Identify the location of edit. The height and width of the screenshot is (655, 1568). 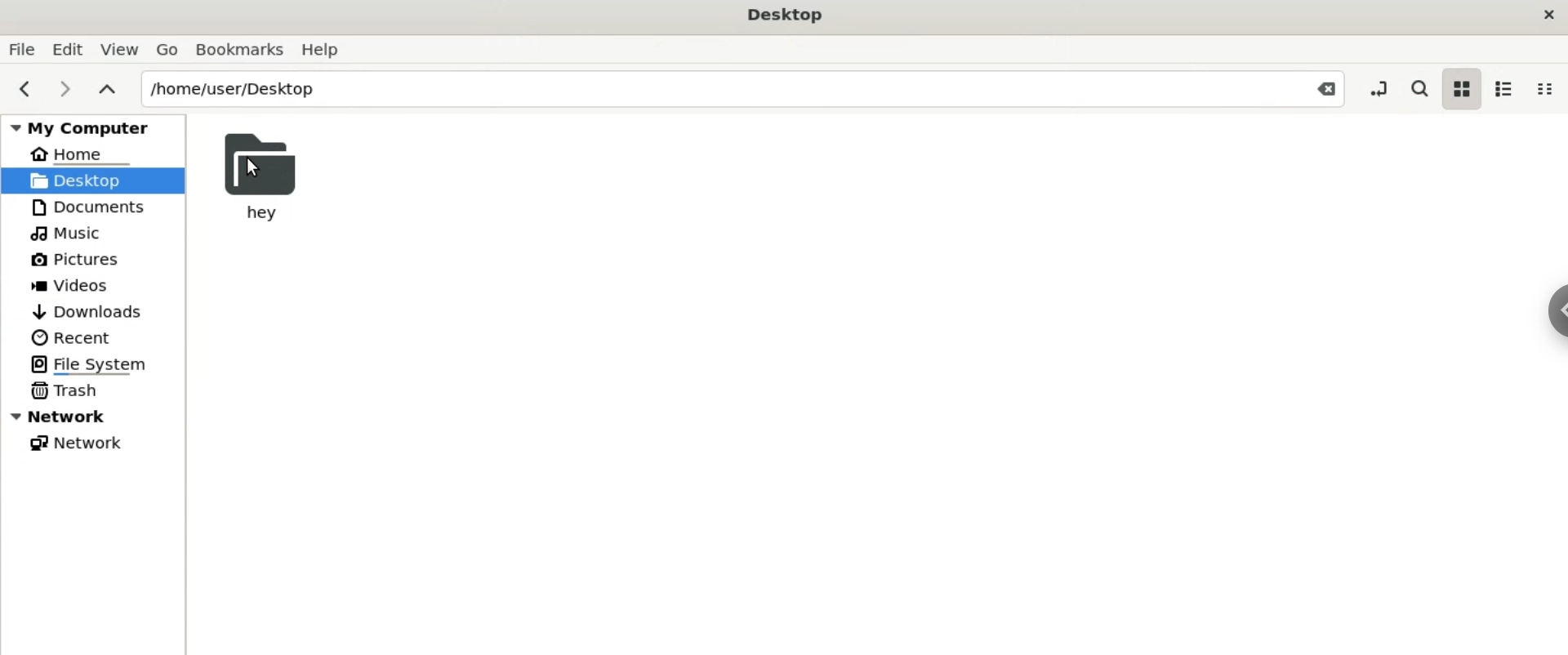
(66, 49).